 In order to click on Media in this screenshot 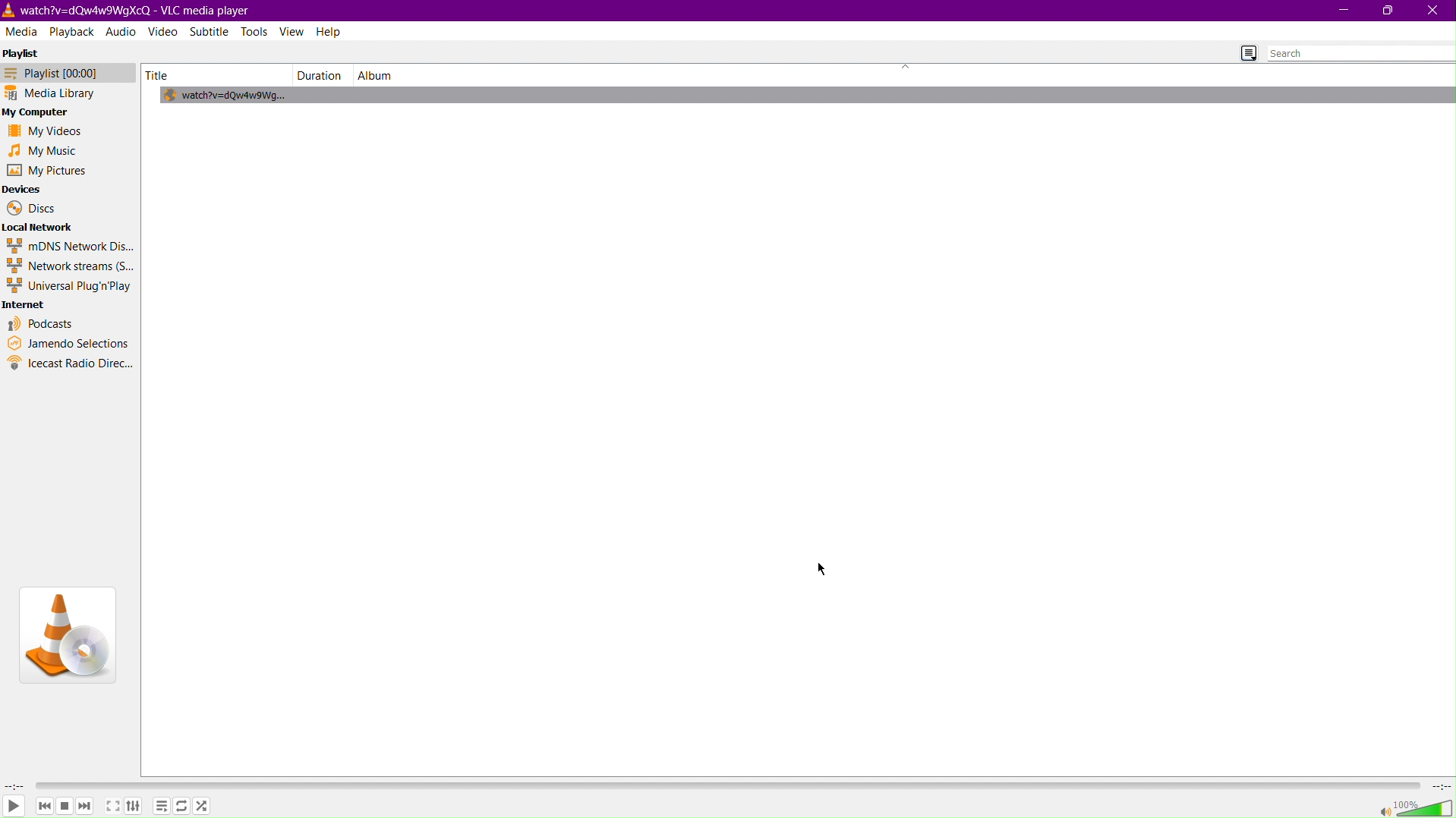, I will do `click(23, 33)`.